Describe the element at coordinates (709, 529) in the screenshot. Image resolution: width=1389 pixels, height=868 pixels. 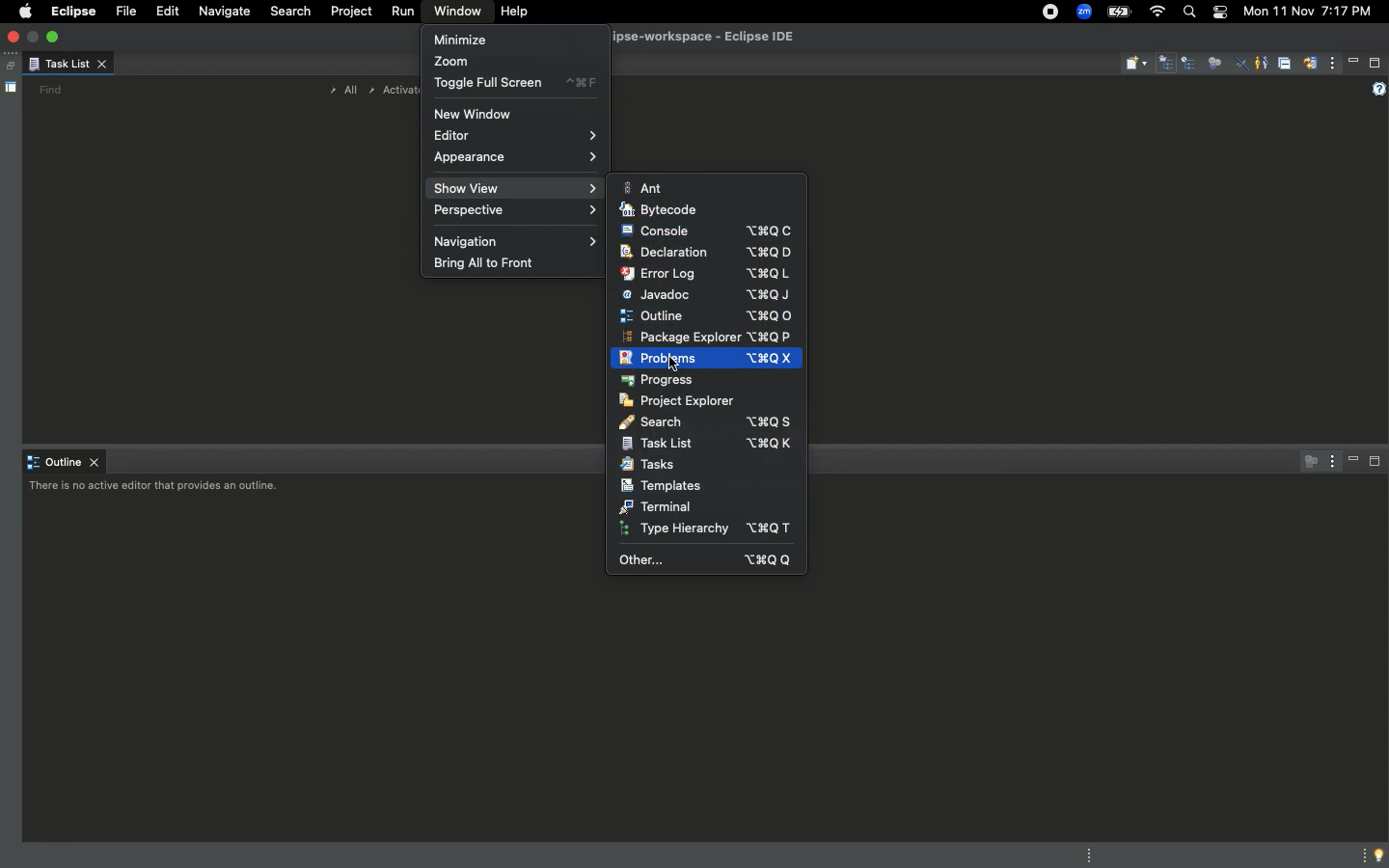
I see `Type hierarchy` at that location.